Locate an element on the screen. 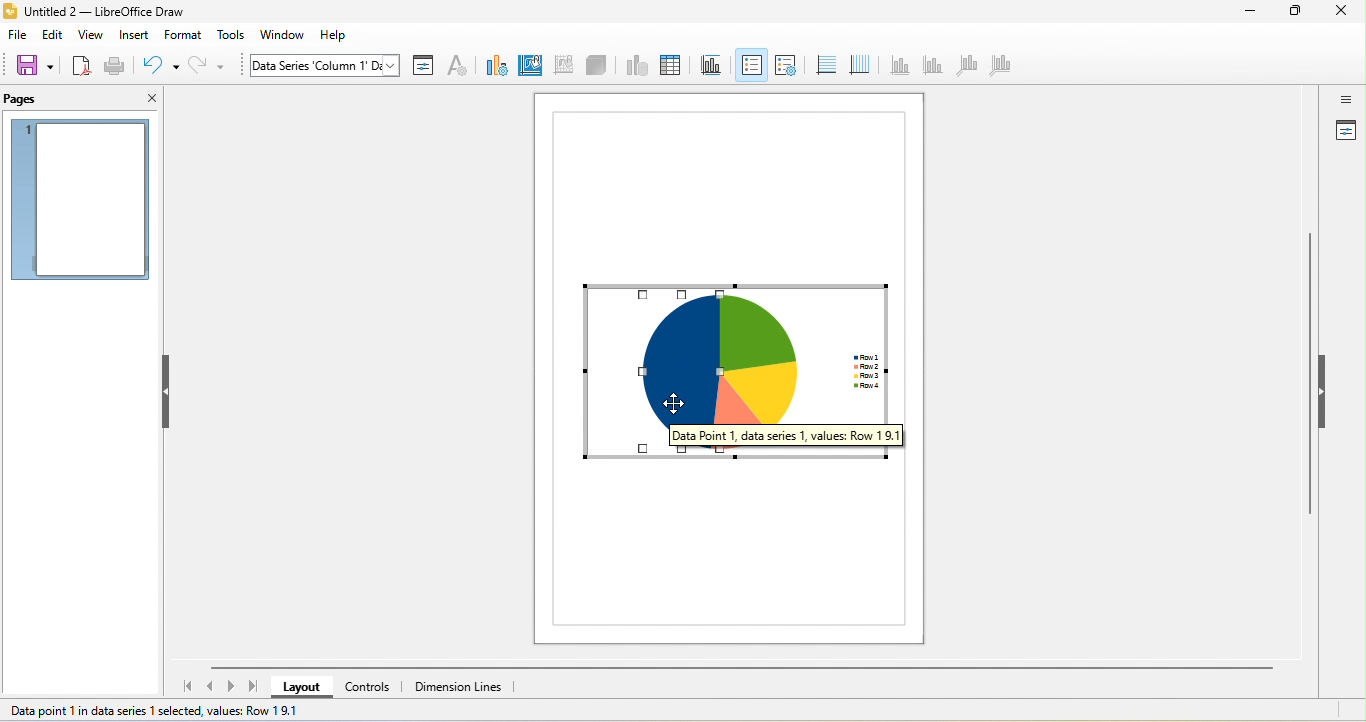  format is located at coordinates (184, 34).